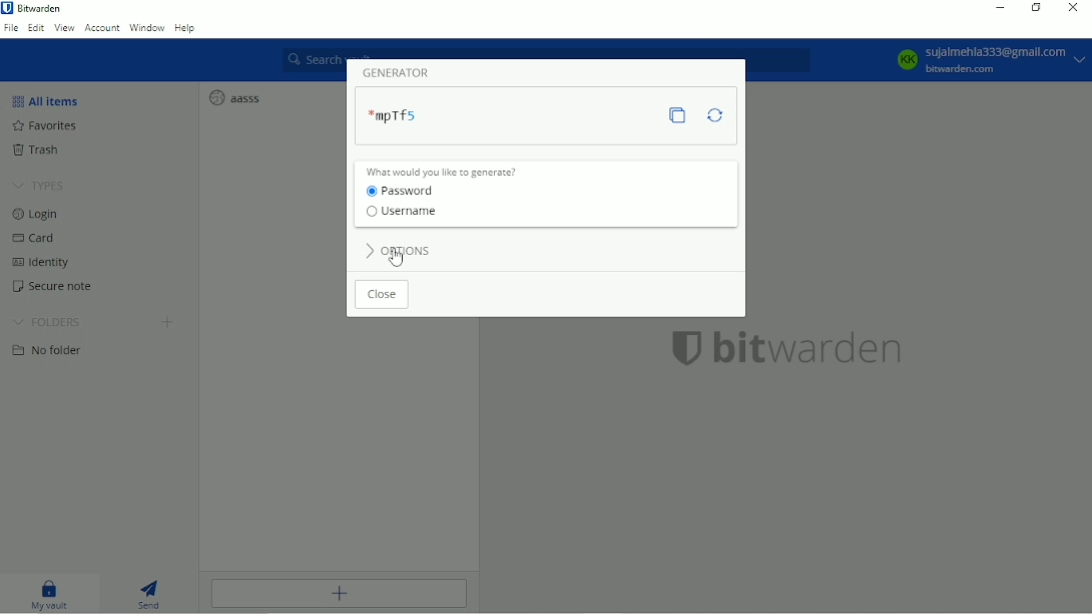 The height and width of the screenshot is (614, 1092). Describe the element at coordinates (49, 100) in the screenshot. I see `All items` at that location.